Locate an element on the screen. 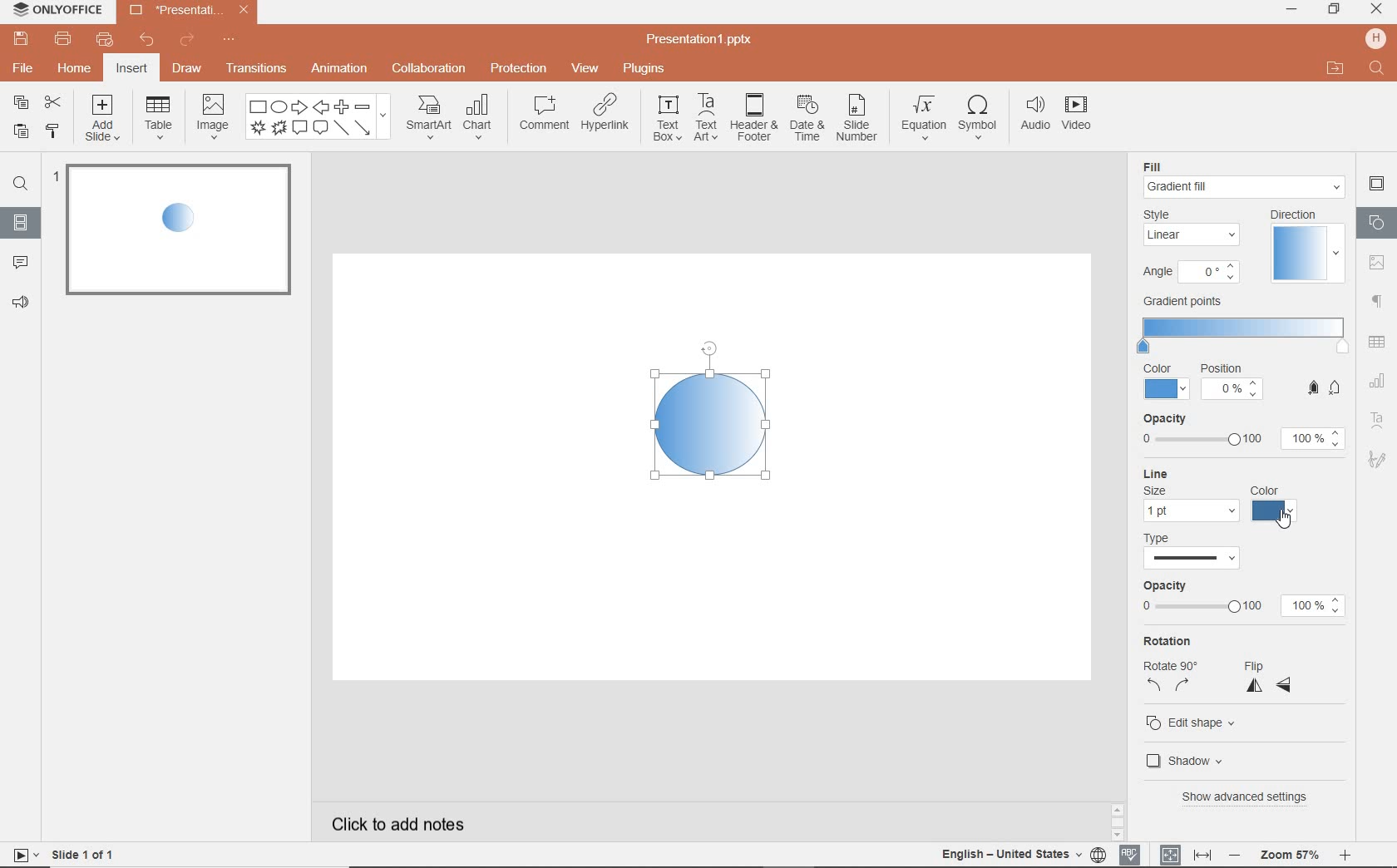  text language is located at coordinates (1013, 856).